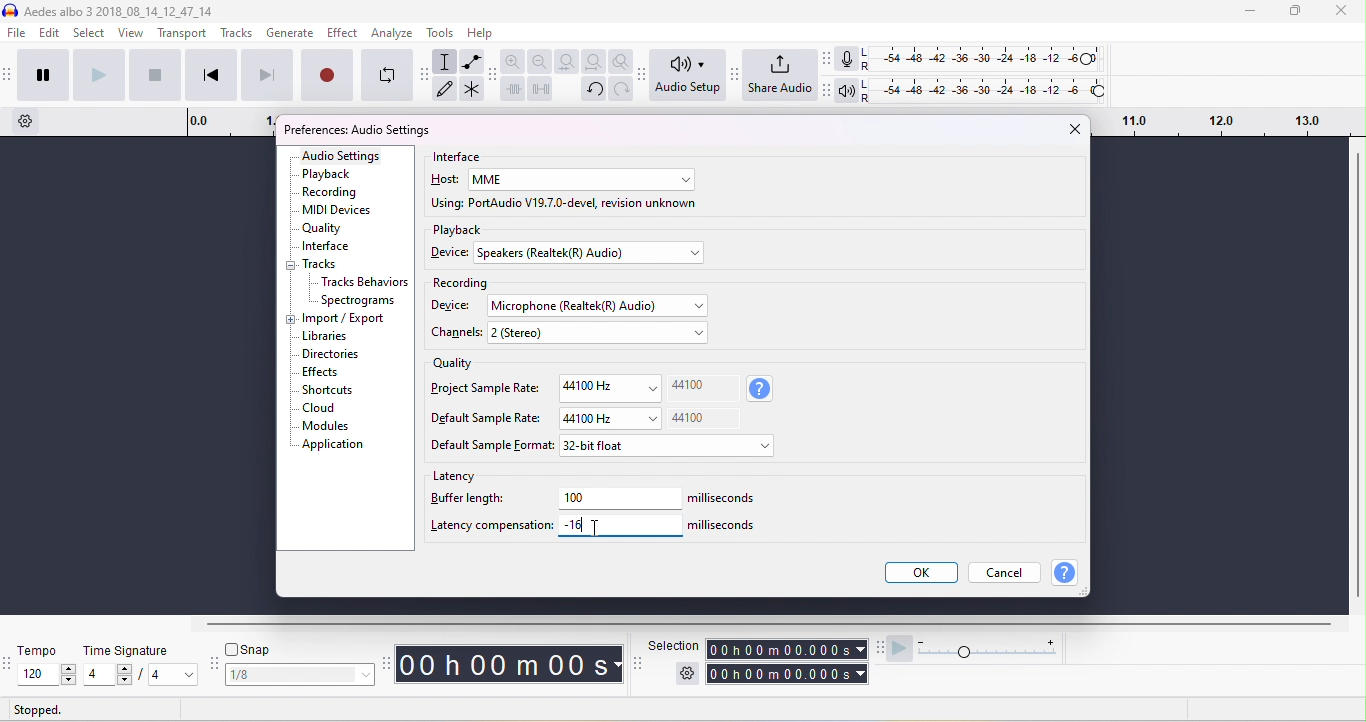 This screenshot has height=722, width=1366. What do you see at coordinates (622, 89) in the screenshot?
I see `redo` at bounding box center [622, 89].